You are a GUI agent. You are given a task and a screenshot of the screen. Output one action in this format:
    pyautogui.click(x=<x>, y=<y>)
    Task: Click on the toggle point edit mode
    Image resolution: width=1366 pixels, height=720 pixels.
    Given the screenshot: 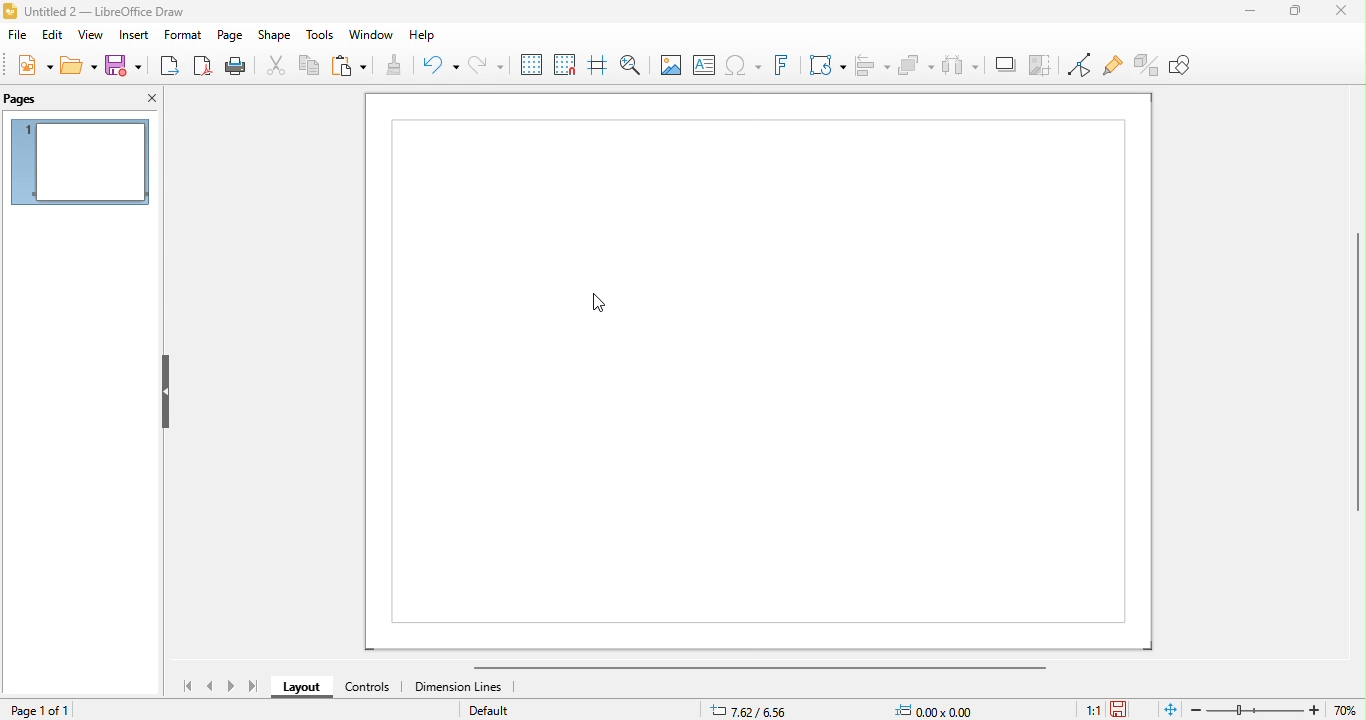 What is the action you would take?
    pyautogui.click(x=1077, y=65)
    